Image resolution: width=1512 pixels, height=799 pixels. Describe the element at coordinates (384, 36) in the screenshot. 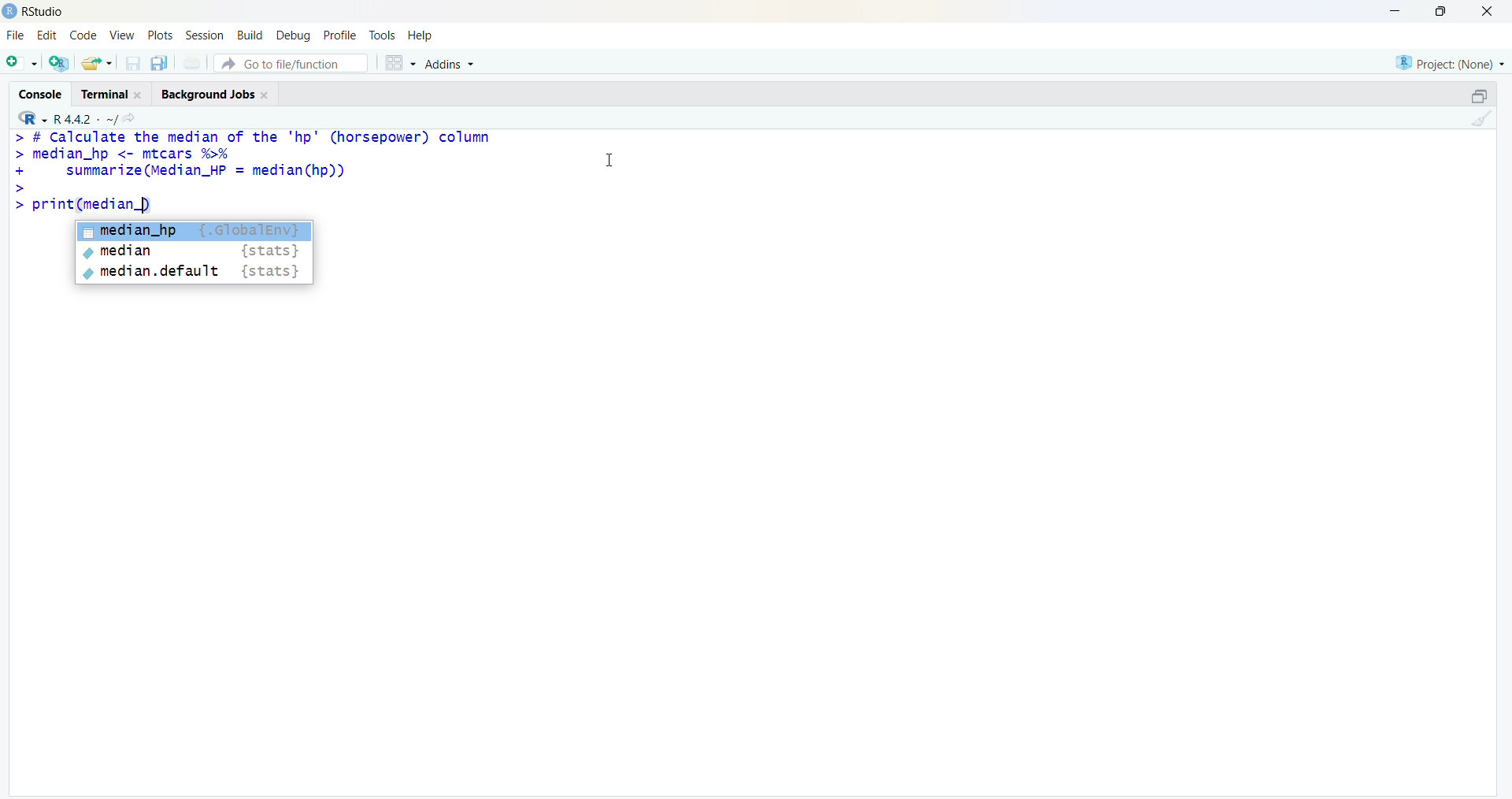

I see `tools` at that location.